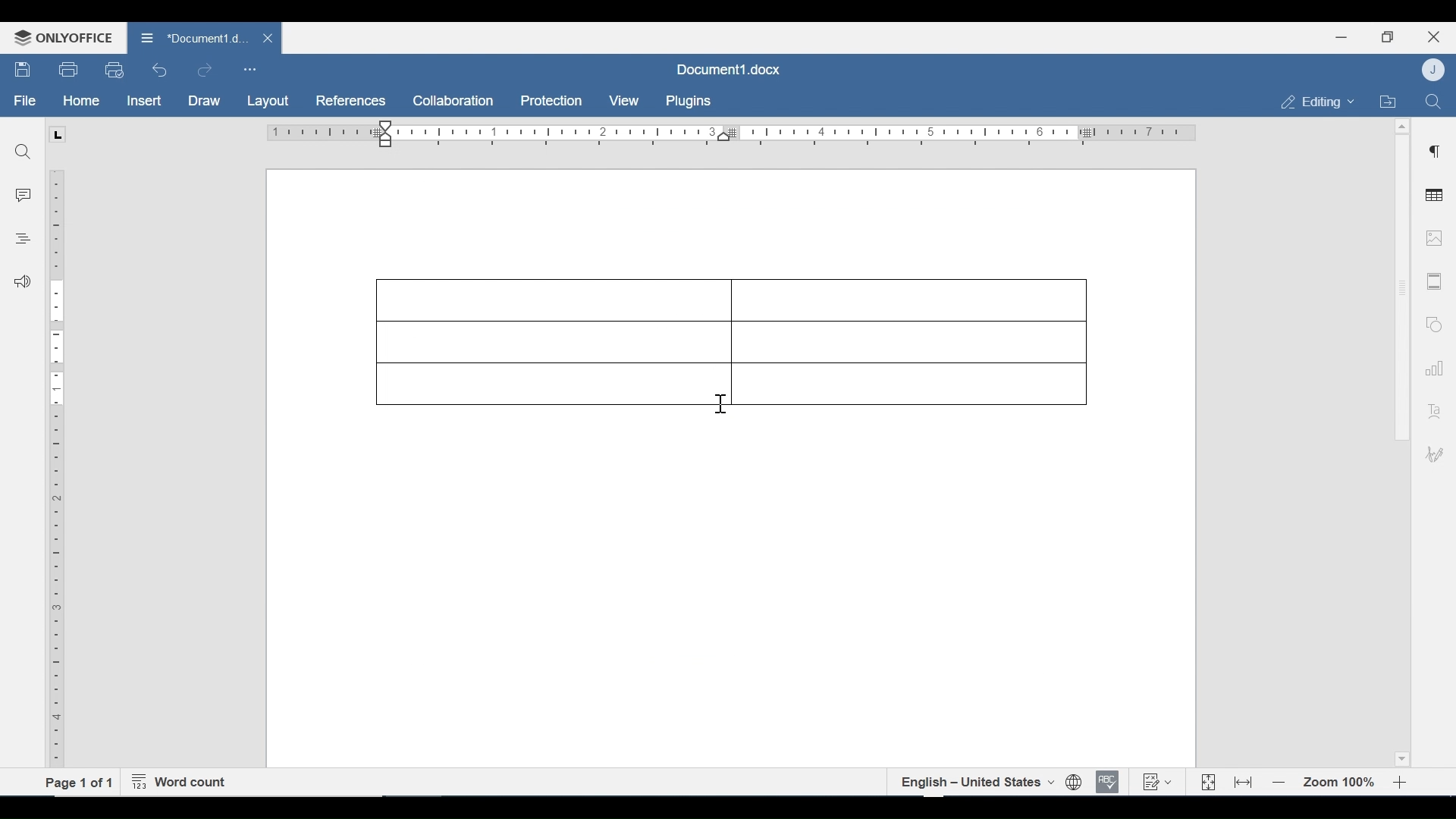 The height and width of the screenshot is (819, 1456). I want to click on Zoom out, so click(1279, 783).